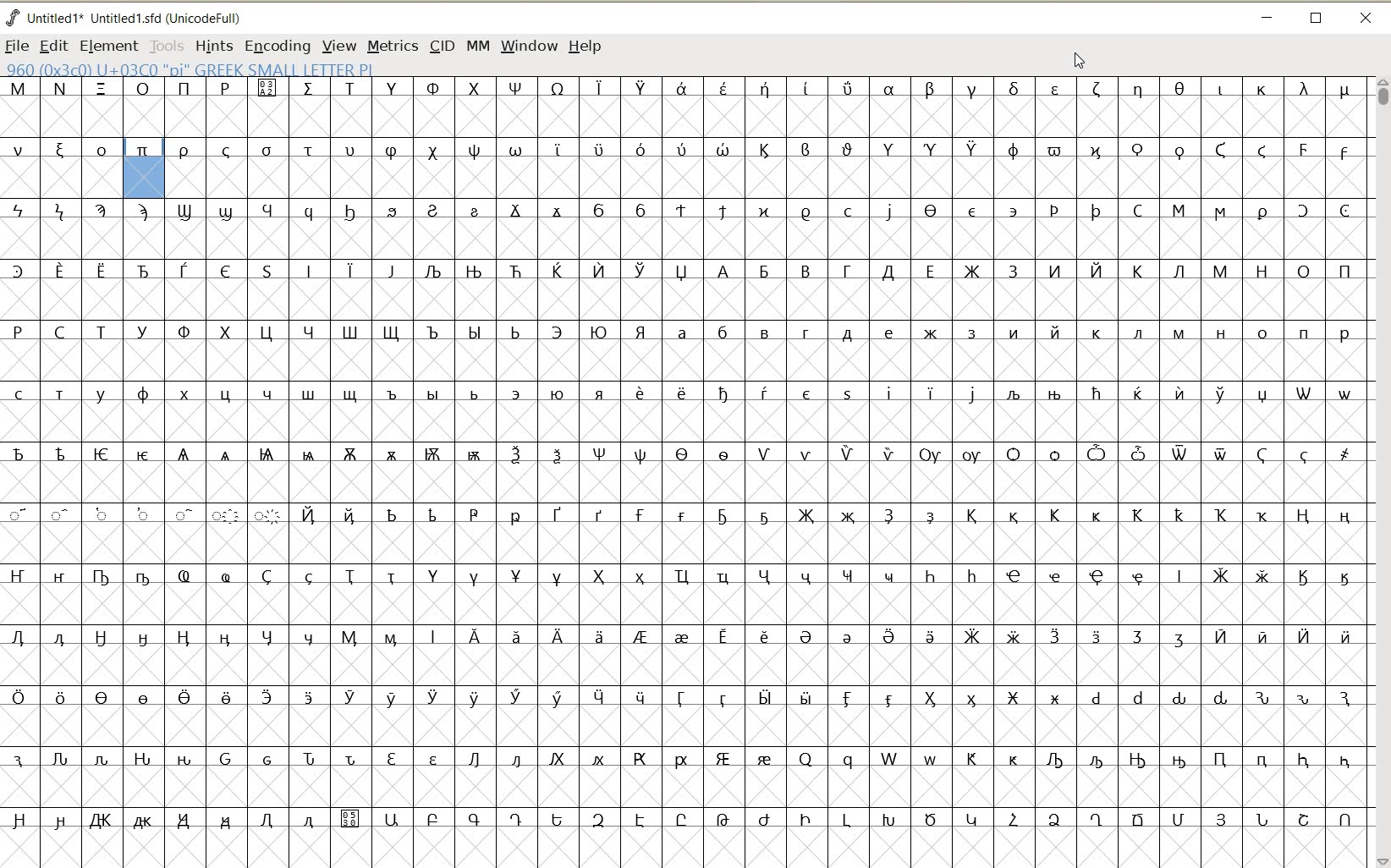  I want to click on cursor, so click(1080, 60).